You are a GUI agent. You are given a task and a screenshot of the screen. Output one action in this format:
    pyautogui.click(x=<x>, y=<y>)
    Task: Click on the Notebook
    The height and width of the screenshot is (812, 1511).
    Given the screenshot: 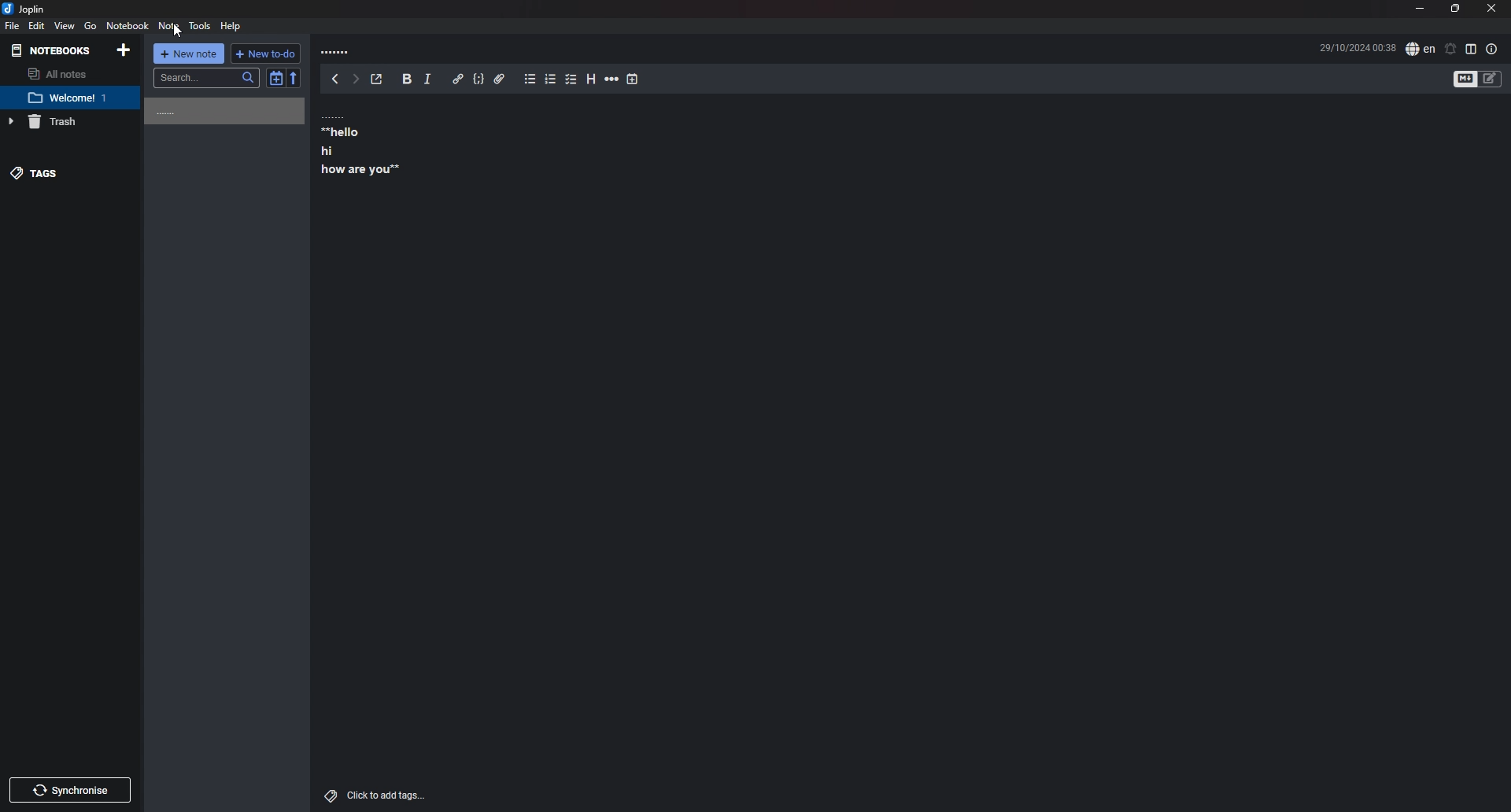 What is the action you would take?
    pyautogui.click(x=127, y=26)
    